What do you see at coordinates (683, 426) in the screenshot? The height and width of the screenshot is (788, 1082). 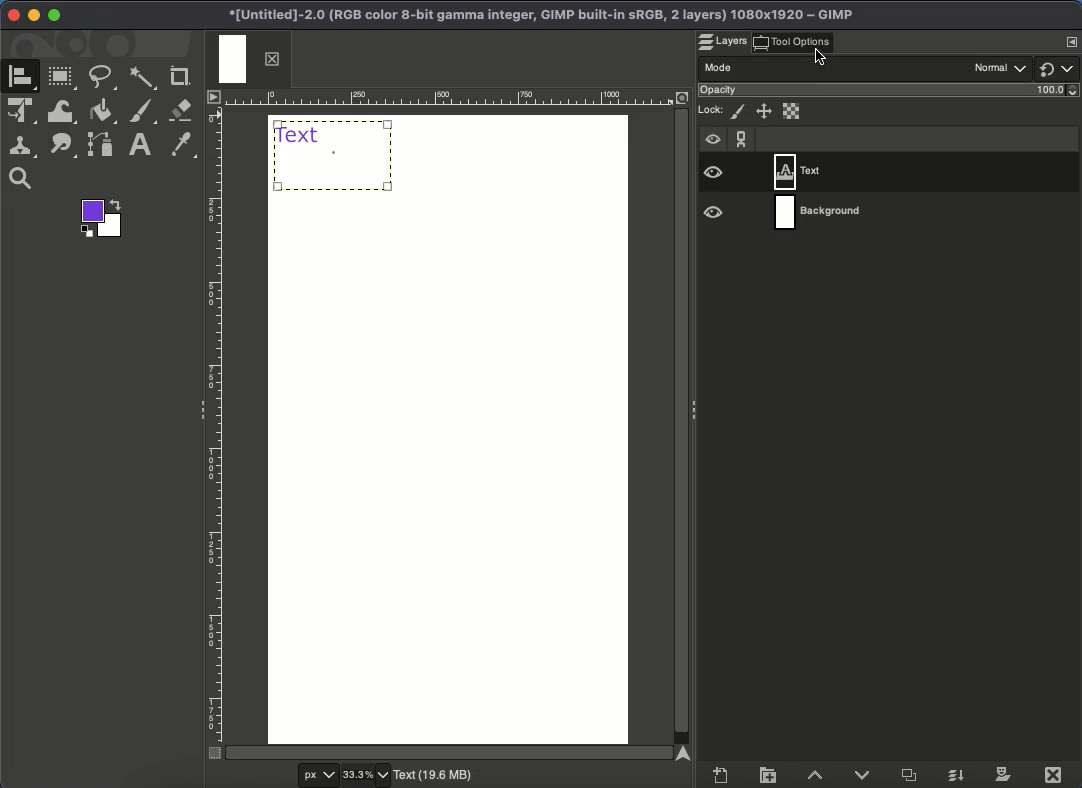 I see `Scroll` at bounding box center [683, 426].